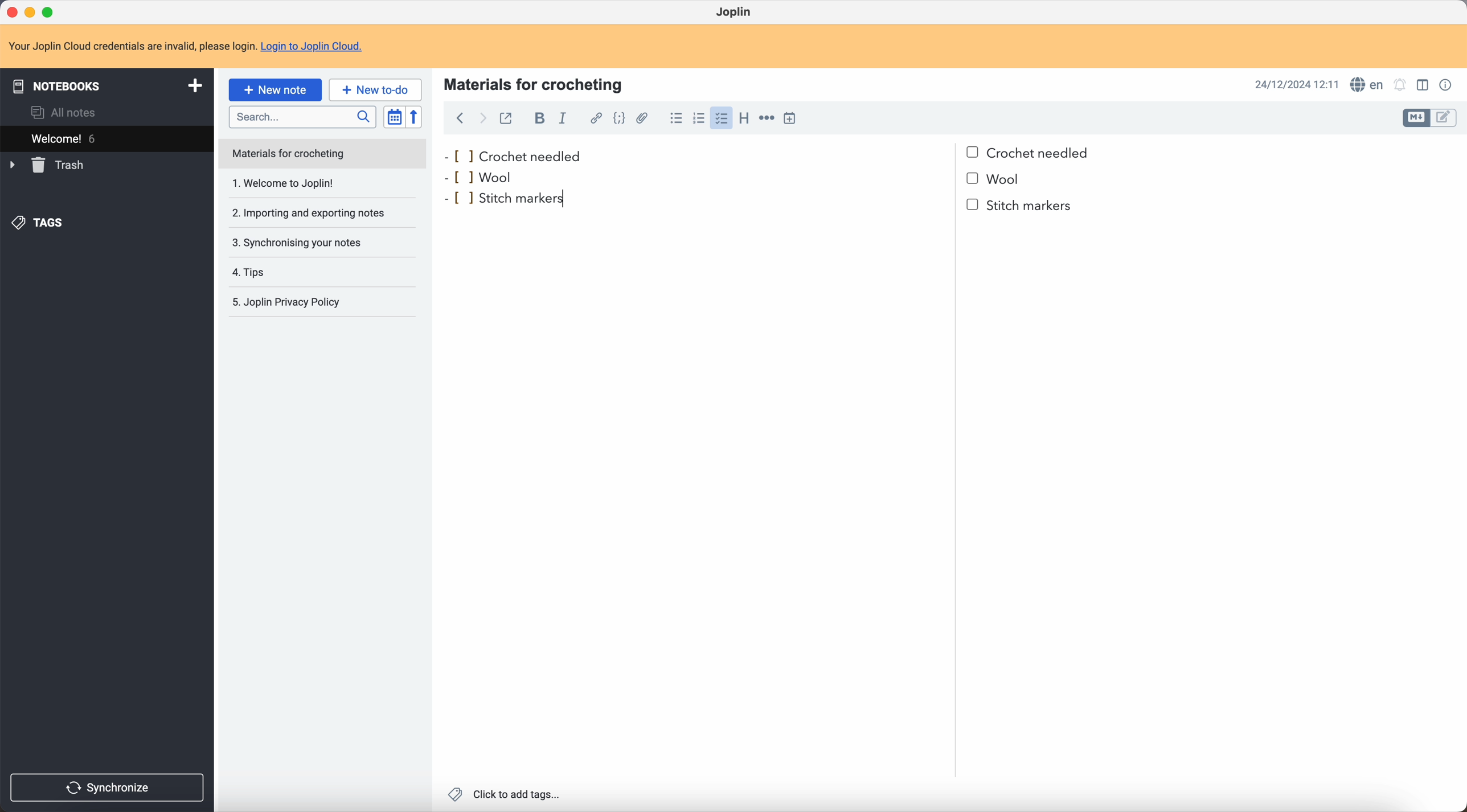 The height and width of the screenshot is (812, 1467). Describe the element at coordinates (1026, 206) in the screenshot. I see `stitch markers` at that location.